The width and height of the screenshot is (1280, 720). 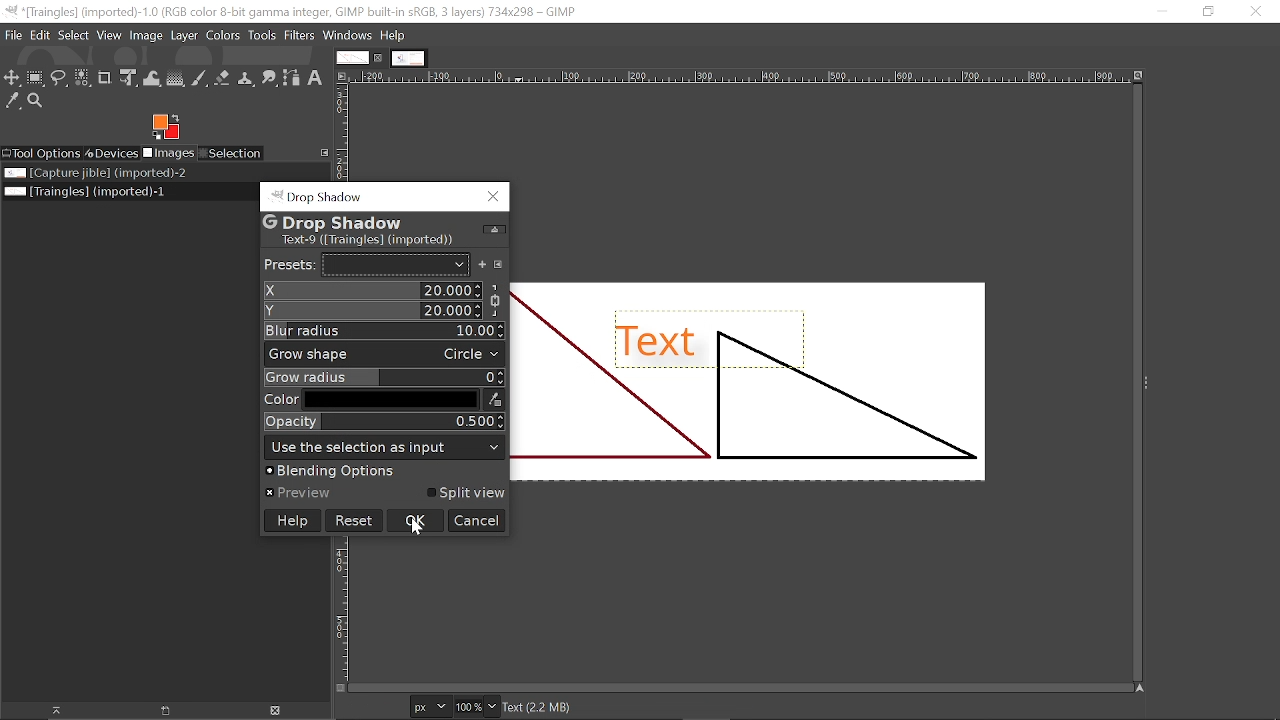 I want to click on Selected text, so click(x=751, y=380).